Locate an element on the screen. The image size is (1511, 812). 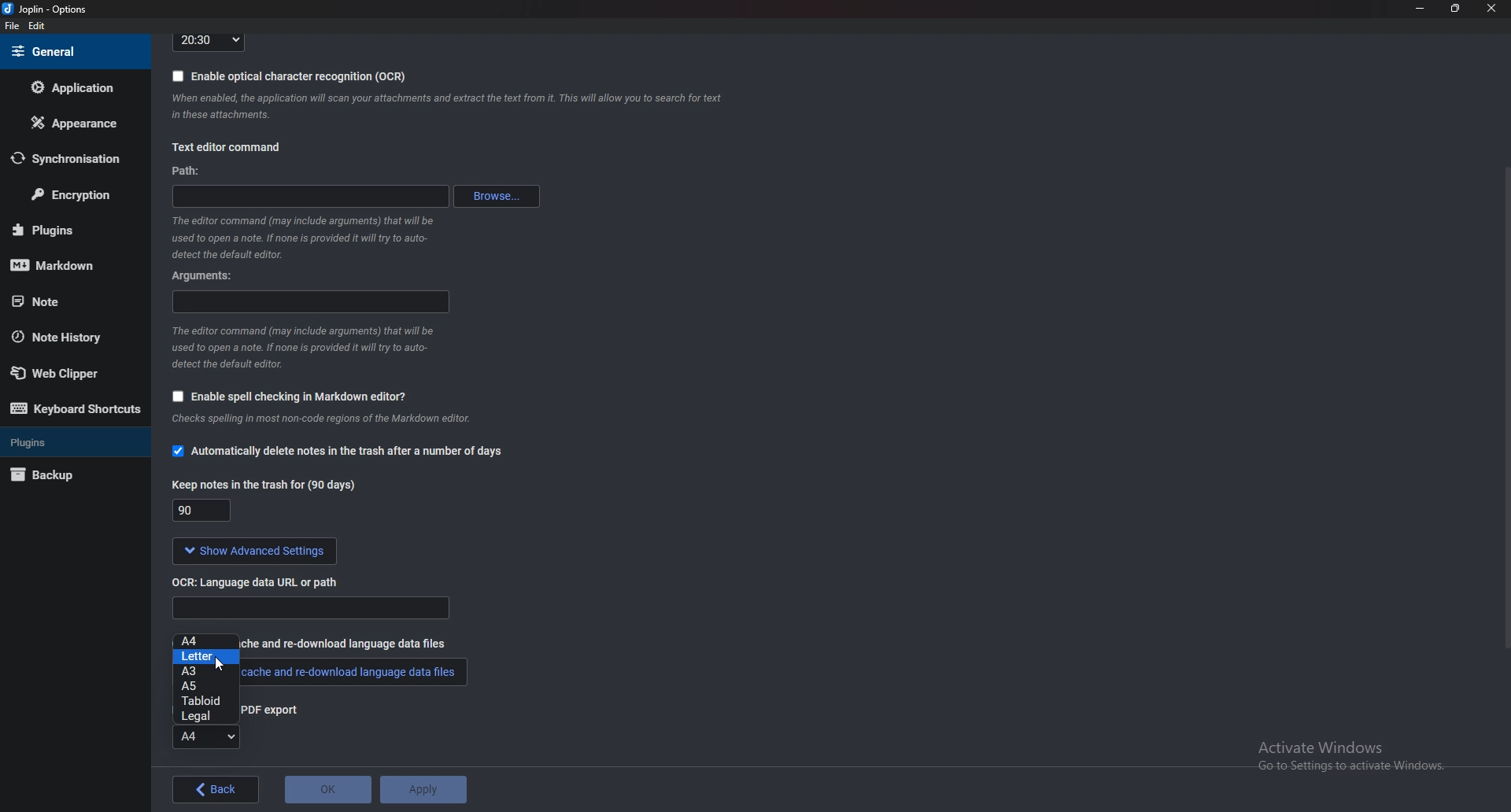
Keep notes in the trash for is located at coordinates (267, 484).